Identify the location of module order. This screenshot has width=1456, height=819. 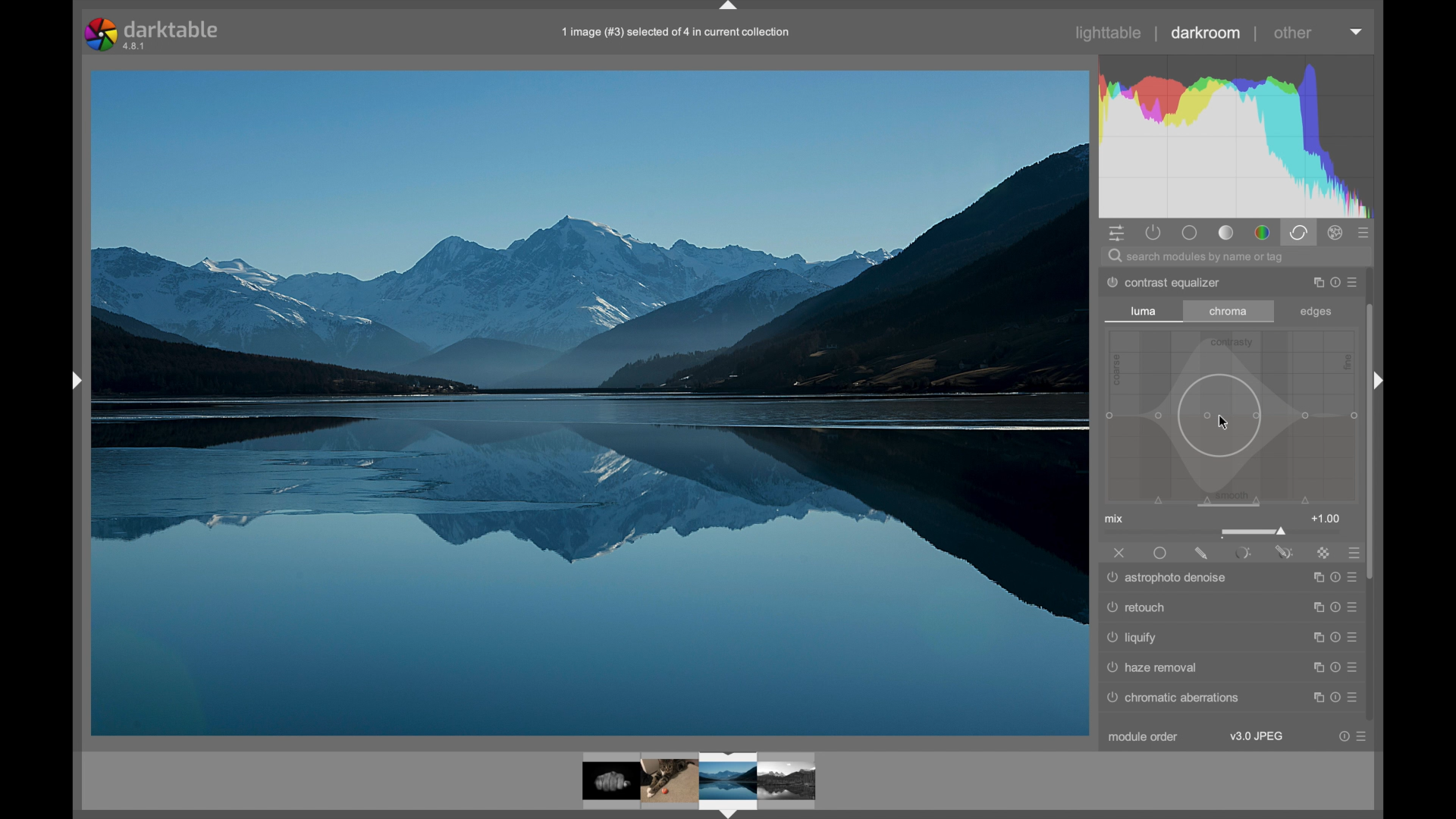
(1145, 738).